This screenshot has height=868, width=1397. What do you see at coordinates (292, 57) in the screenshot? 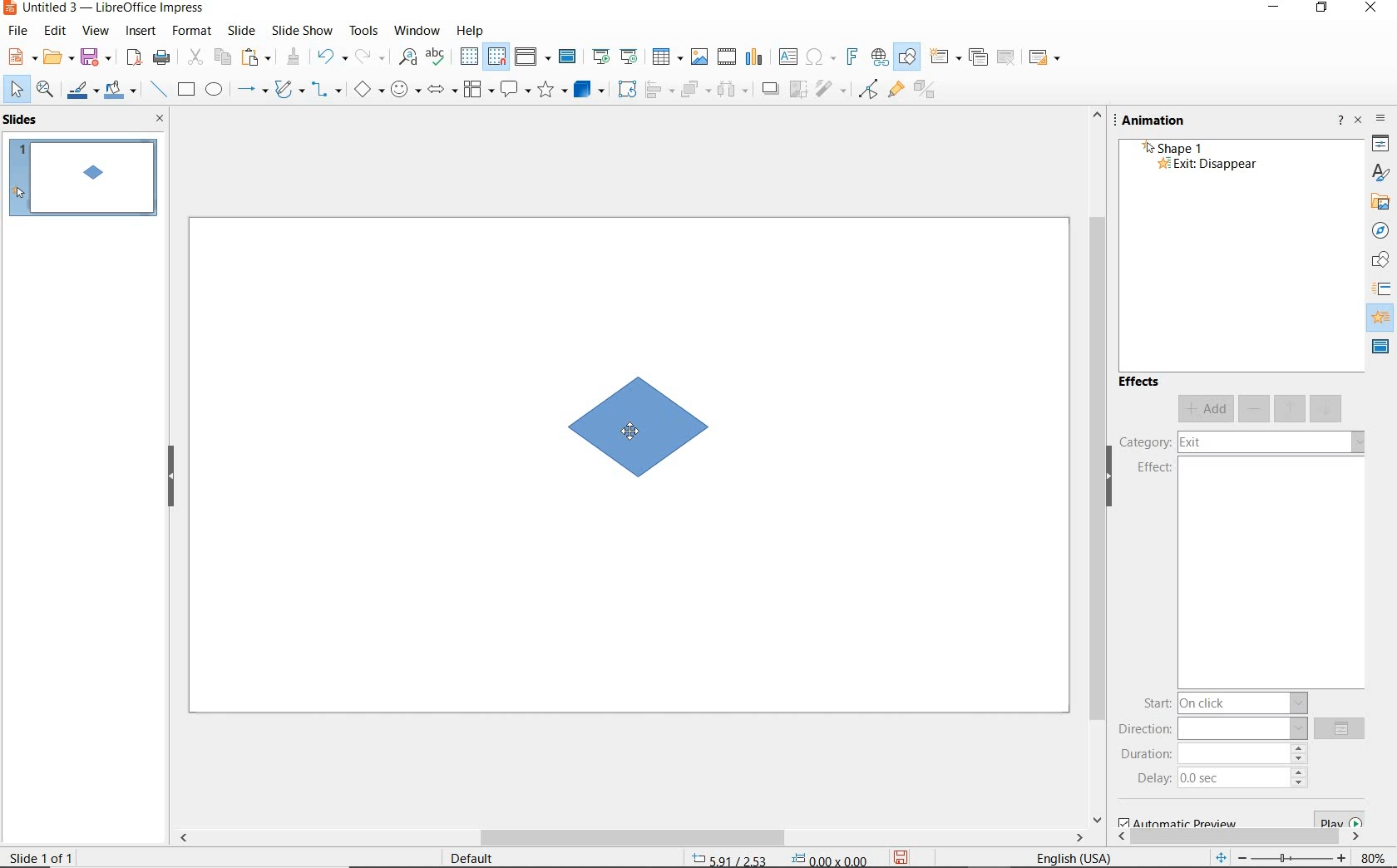
I see `clone formatting` at bounding box center [292, 57].